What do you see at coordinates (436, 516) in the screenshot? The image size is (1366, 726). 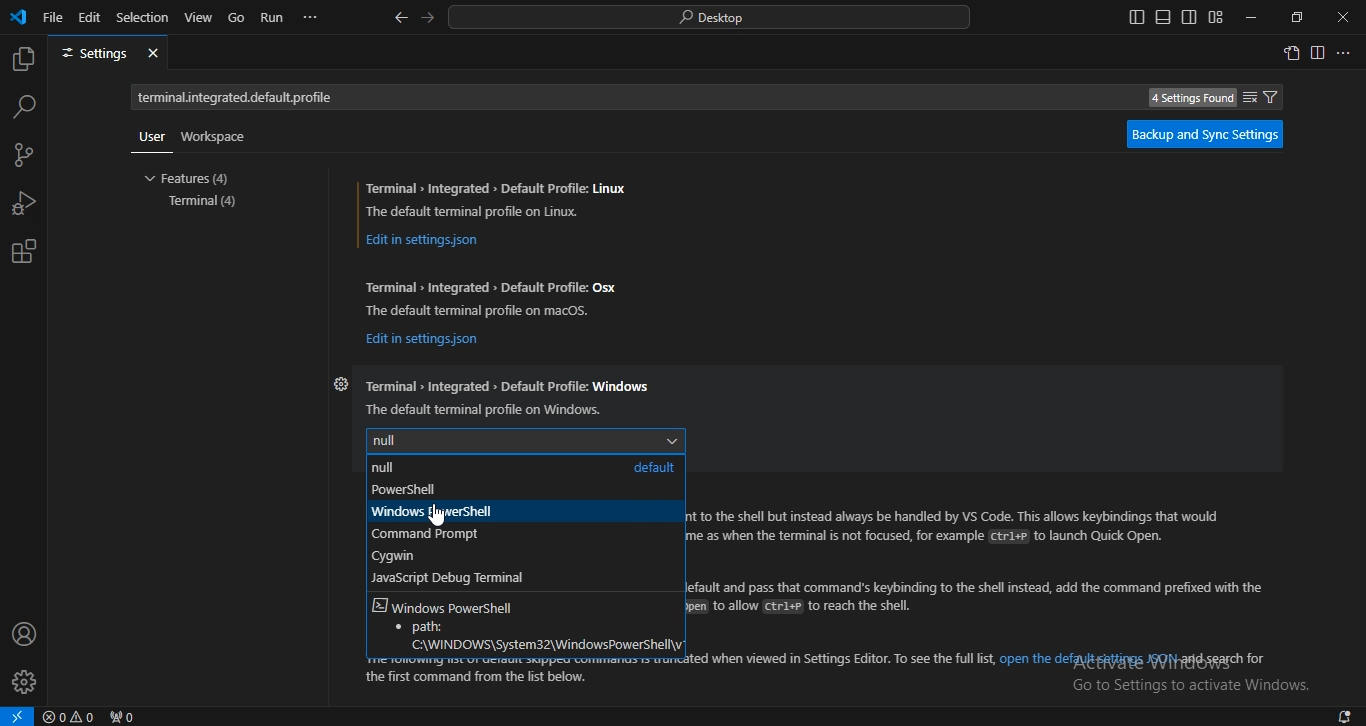 I see `cursor` at bounding box center [436, 516].